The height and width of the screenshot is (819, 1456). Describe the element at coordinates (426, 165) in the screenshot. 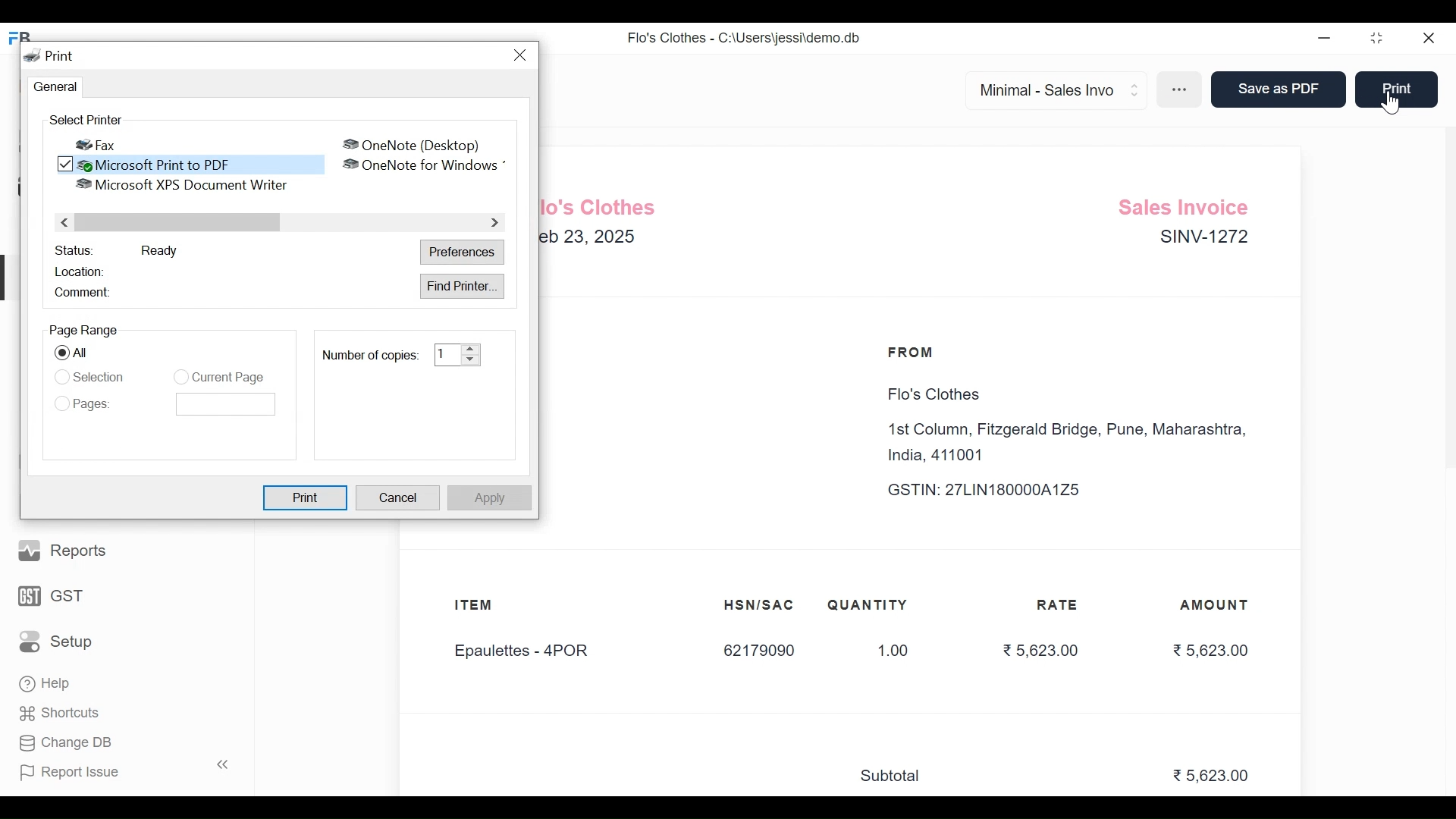

I see `OneNote for Windows *` at that location.